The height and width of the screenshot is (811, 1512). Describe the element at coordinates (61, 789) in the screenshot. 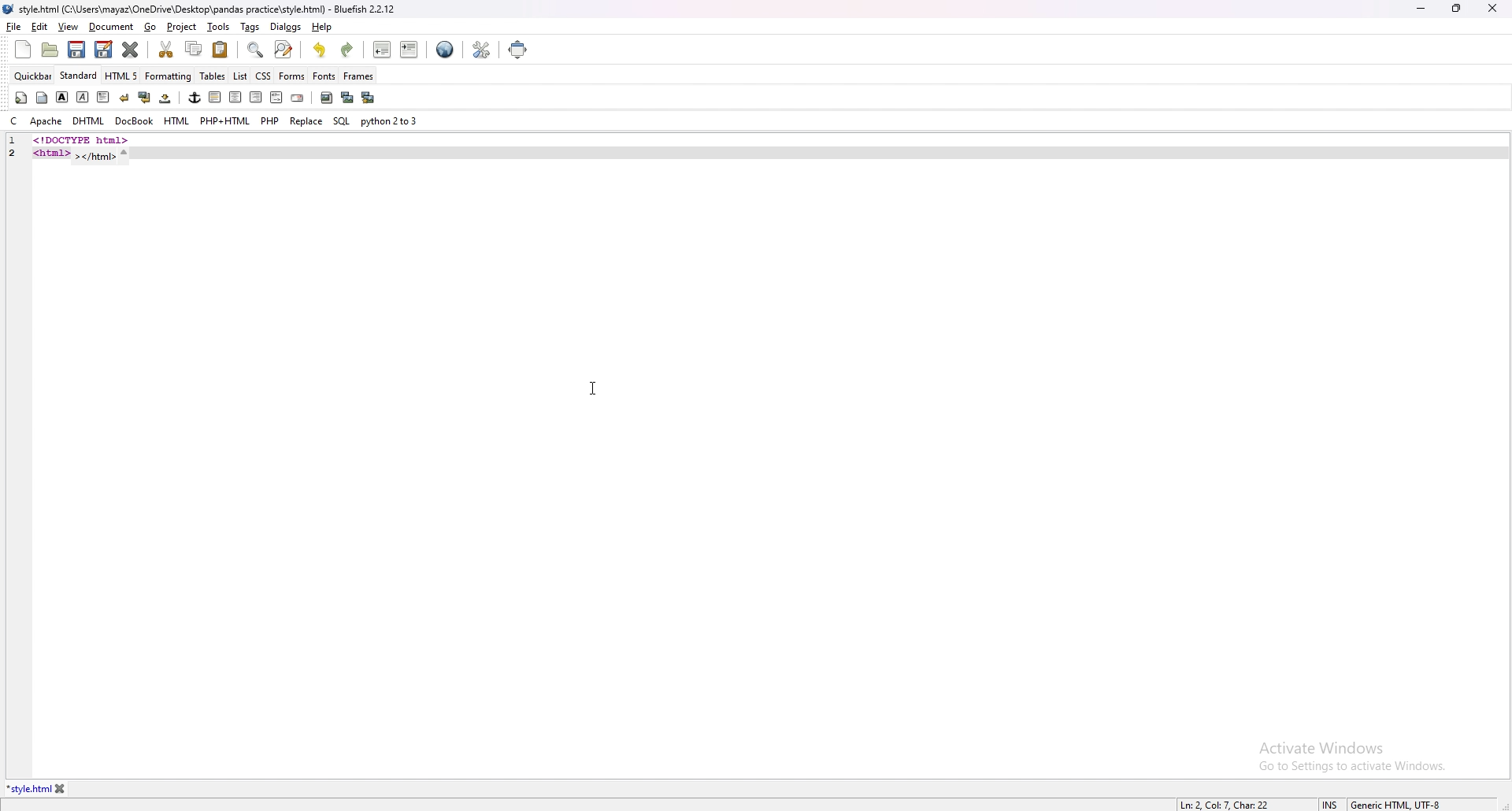

I see `close tab` at that location.